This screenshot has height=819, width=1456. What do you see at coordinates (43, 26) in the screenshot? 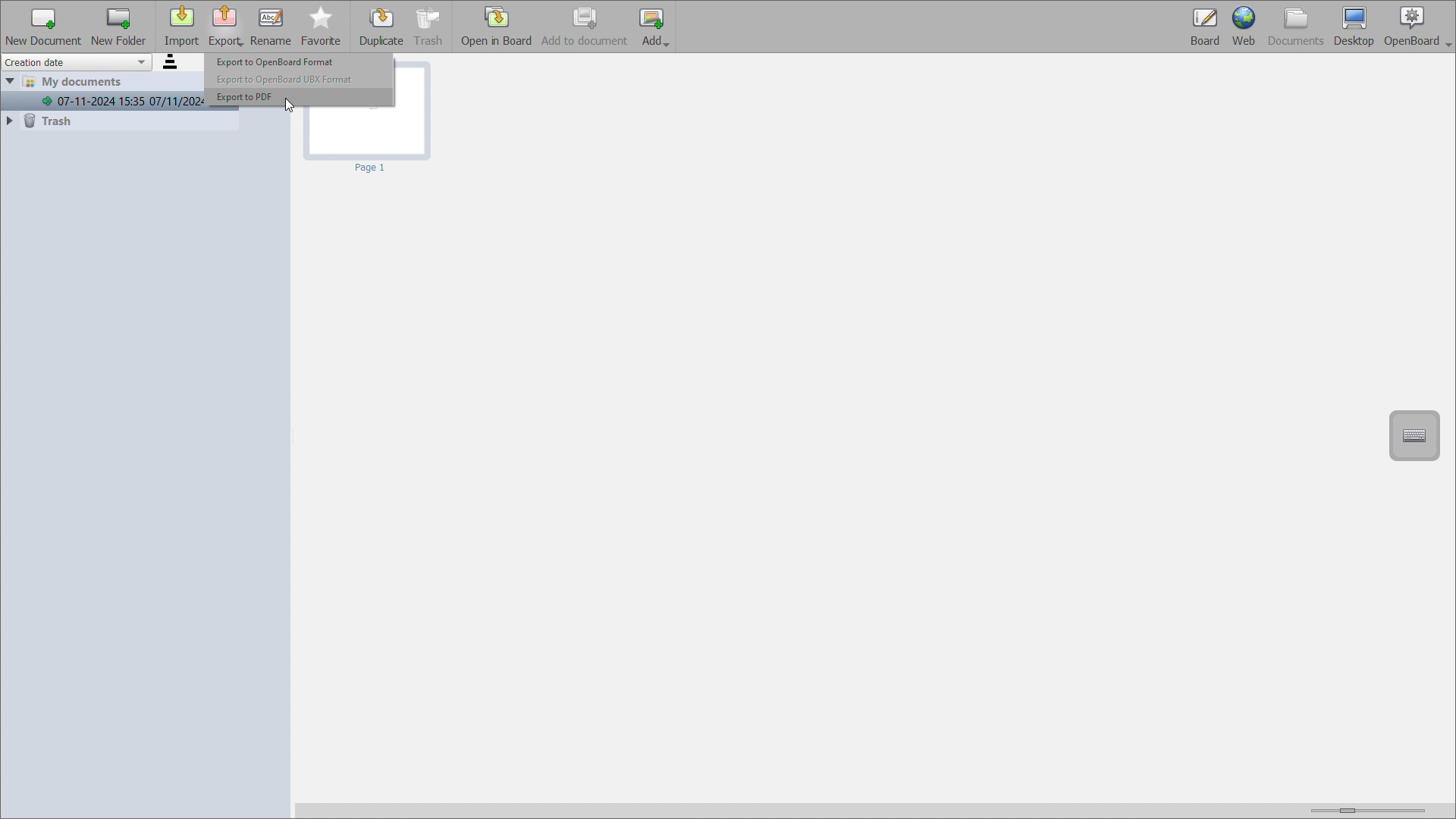
I see `add new document` at bounding box center [43, 26].